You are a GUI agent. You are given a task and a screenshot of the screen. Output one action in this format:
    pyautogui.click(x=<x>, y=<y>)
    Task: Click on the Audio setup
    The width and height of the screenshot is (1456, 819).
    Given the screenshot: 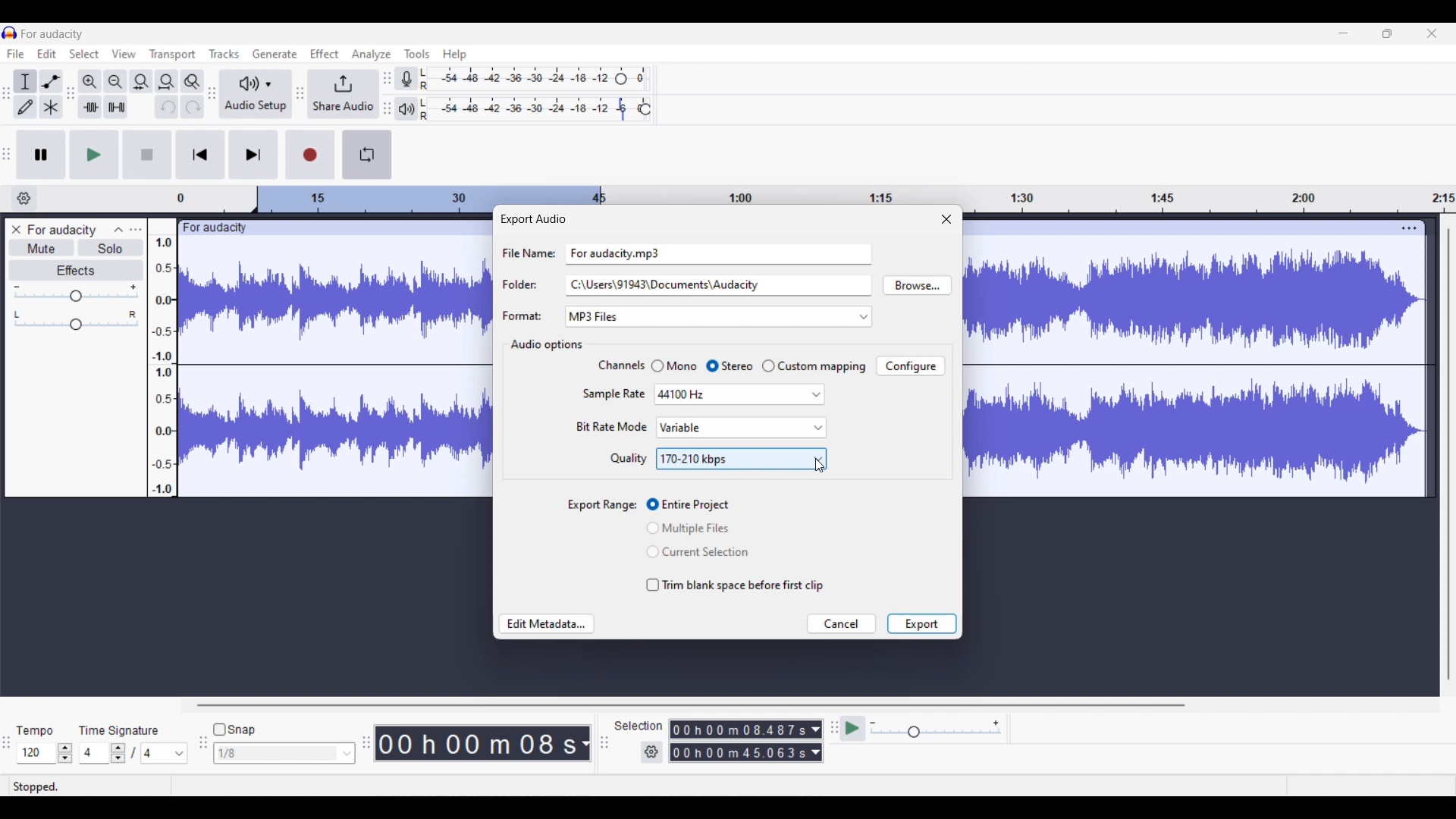 What is the action you would take?
    pyautogui.click(x=256, y=95)
    